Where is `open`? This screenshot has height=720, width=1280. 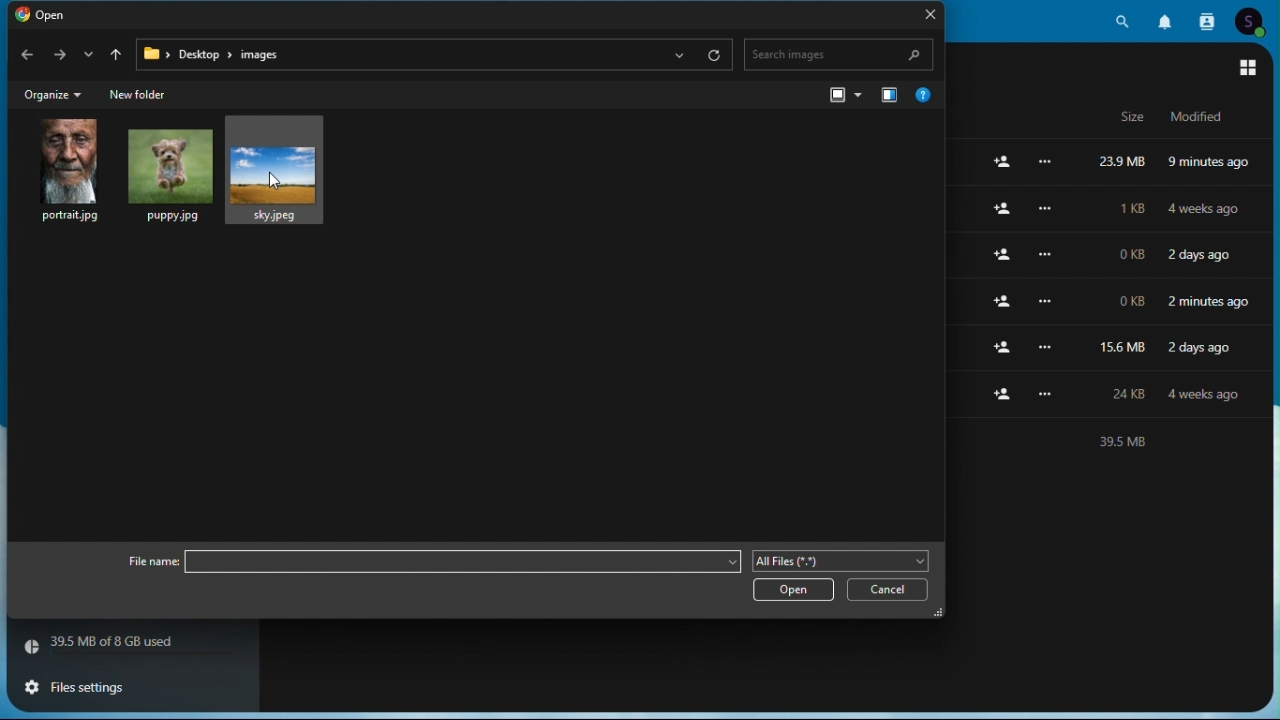 open is located at coordinates (793, 591).